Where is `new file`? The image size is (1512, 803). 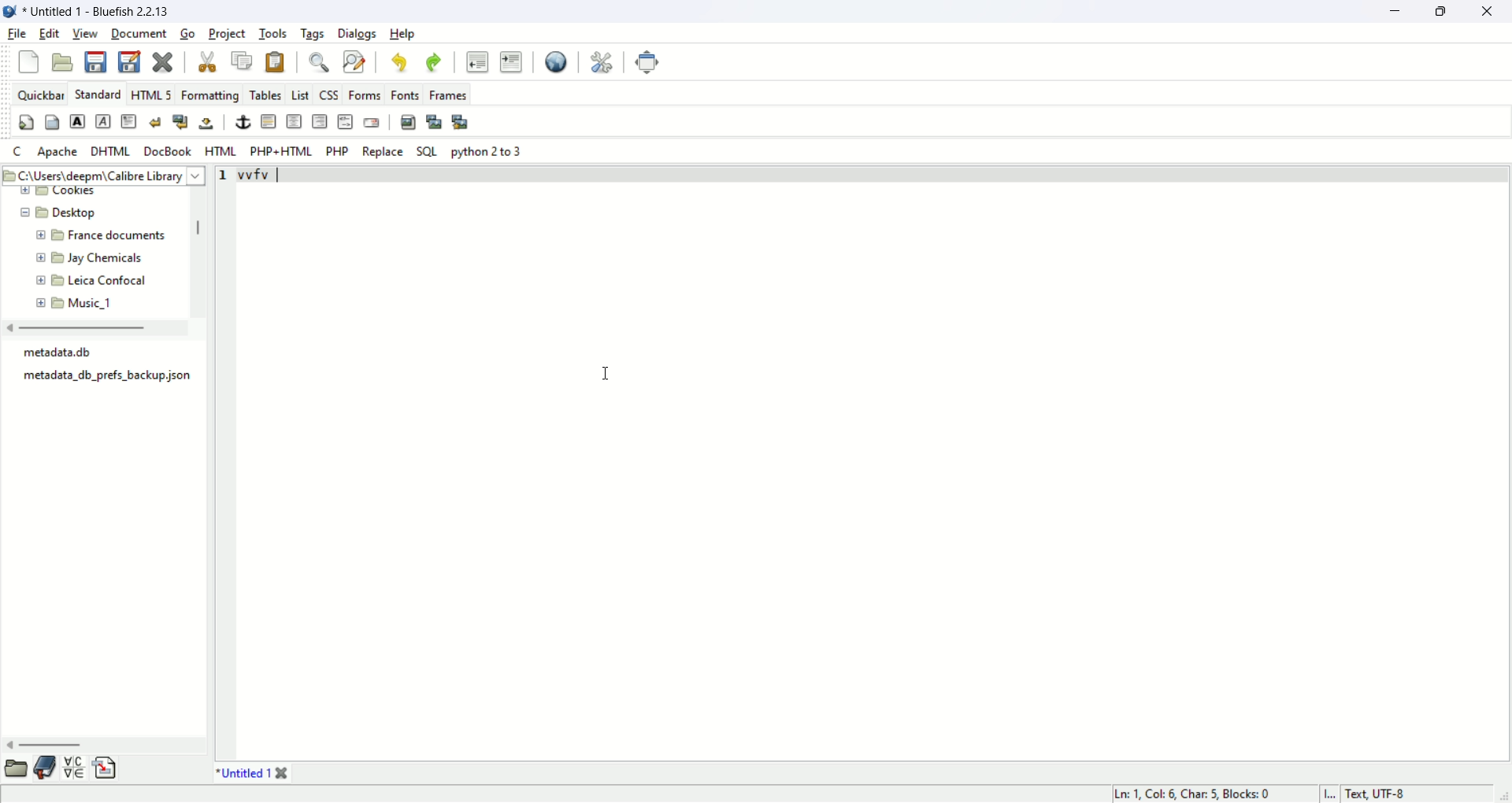 new file is located at coordinates (30, 61).